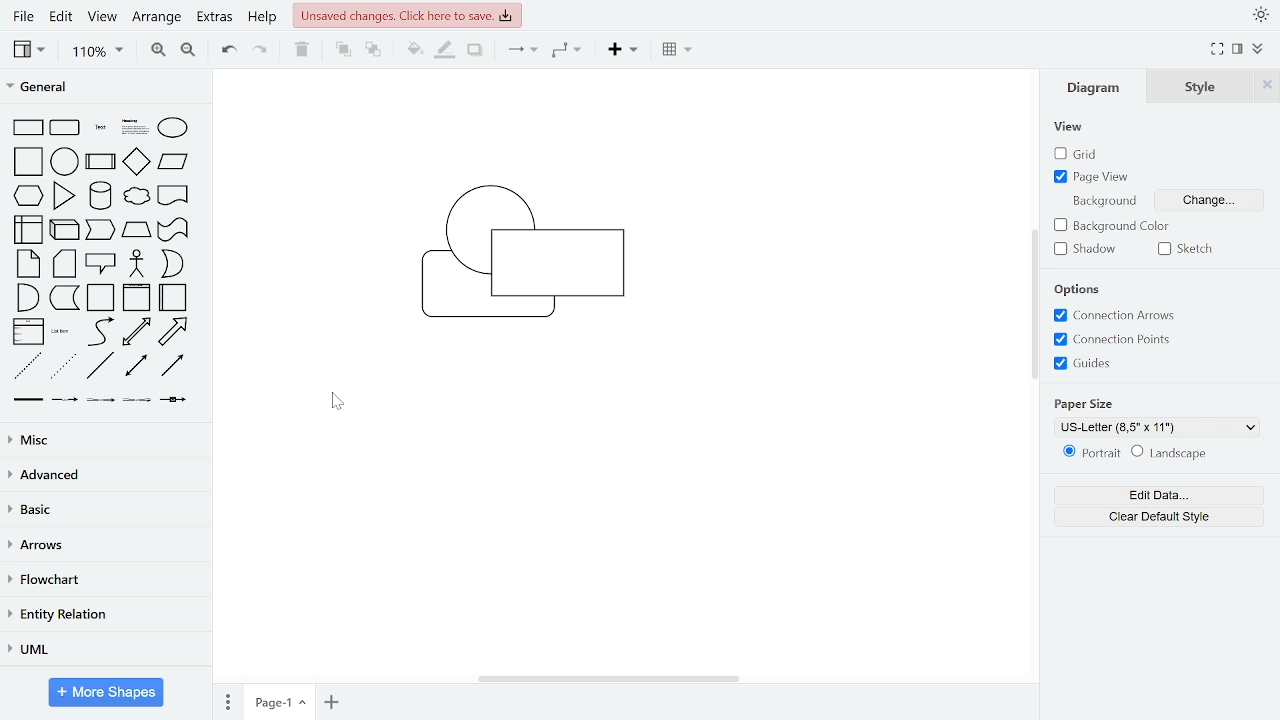 This screenshot has height=720, width=1280. Describe the element at coordinates (159, 19) in the screenshot. I see `arrange` at that location.